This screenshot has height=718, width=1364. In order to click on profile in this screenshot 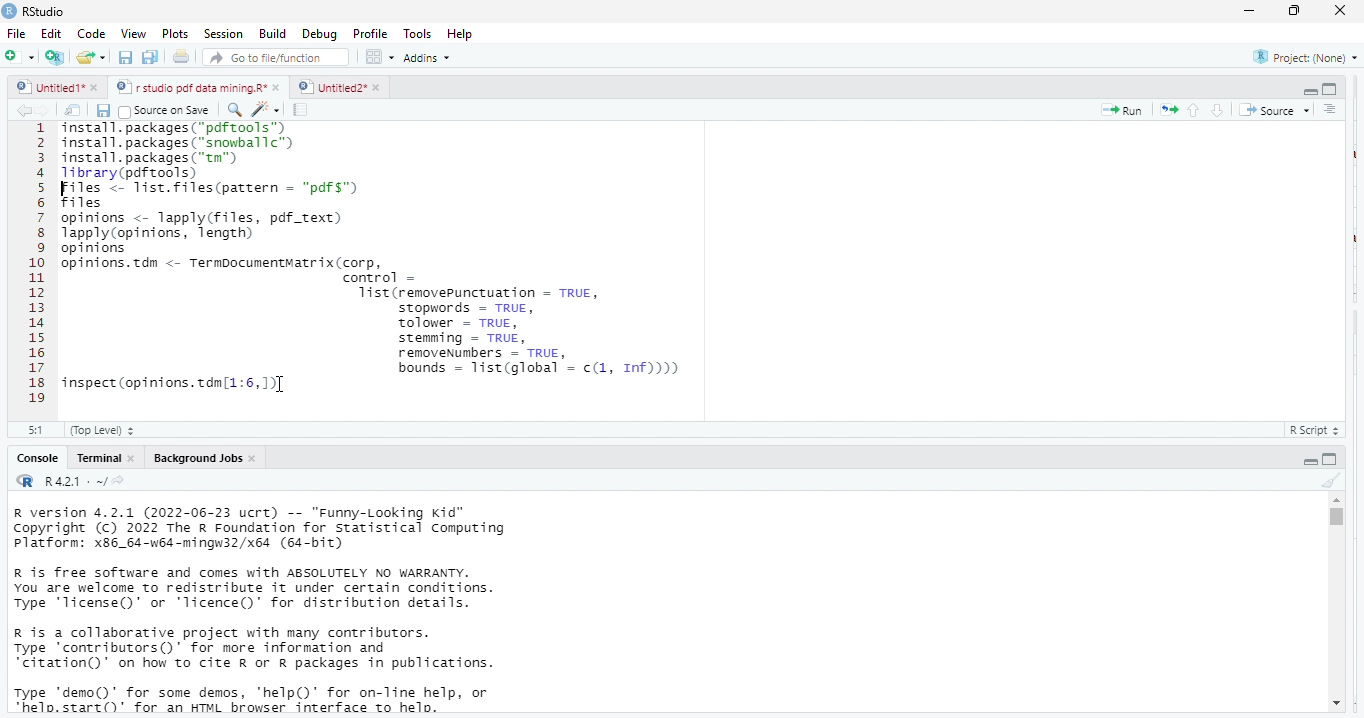, I will do `click(370, 32)`.